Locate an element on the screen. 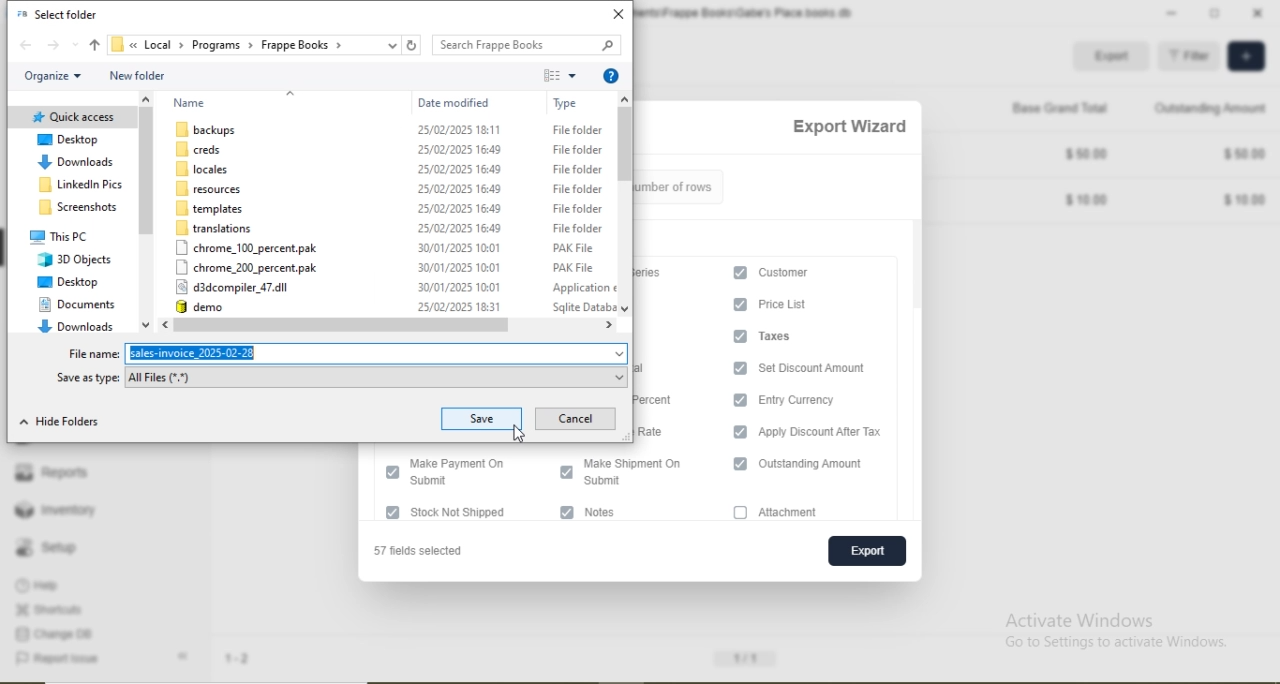 Image resolution: width=1280 pixels, height=684 pixels. Gabe's Place - C\Users\useriDocuments\Frappe Books\Gabe's Place books db is located at coordinates (747, 13).